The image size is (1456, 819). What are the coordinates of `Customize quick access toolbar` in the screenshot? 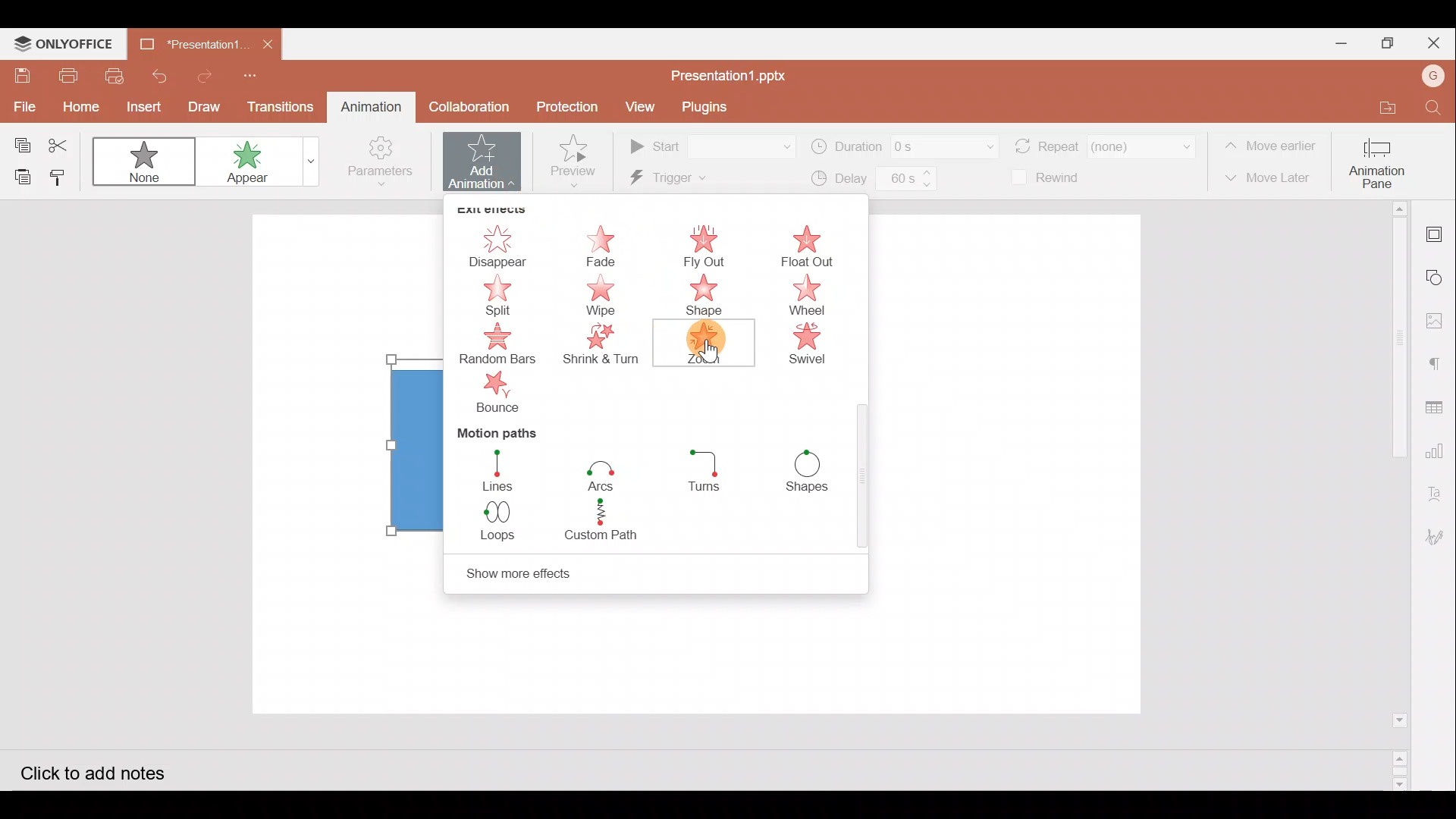 It's located at (247, 73).